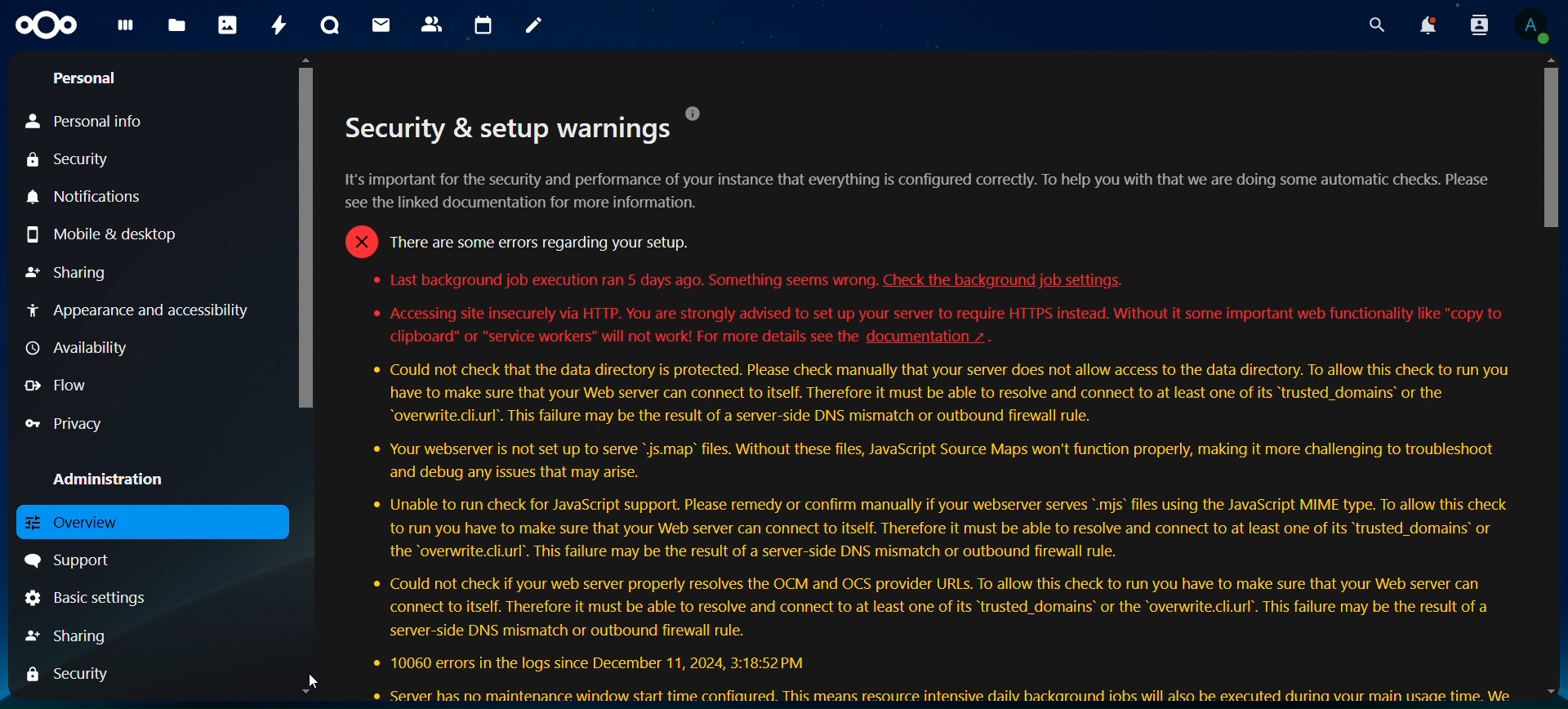 The width and height of the screenshot is (1568, 709). What do you see at coordinates (95, 123) in the screenshot?
I see `personal info` at bounding box center [95, 123].